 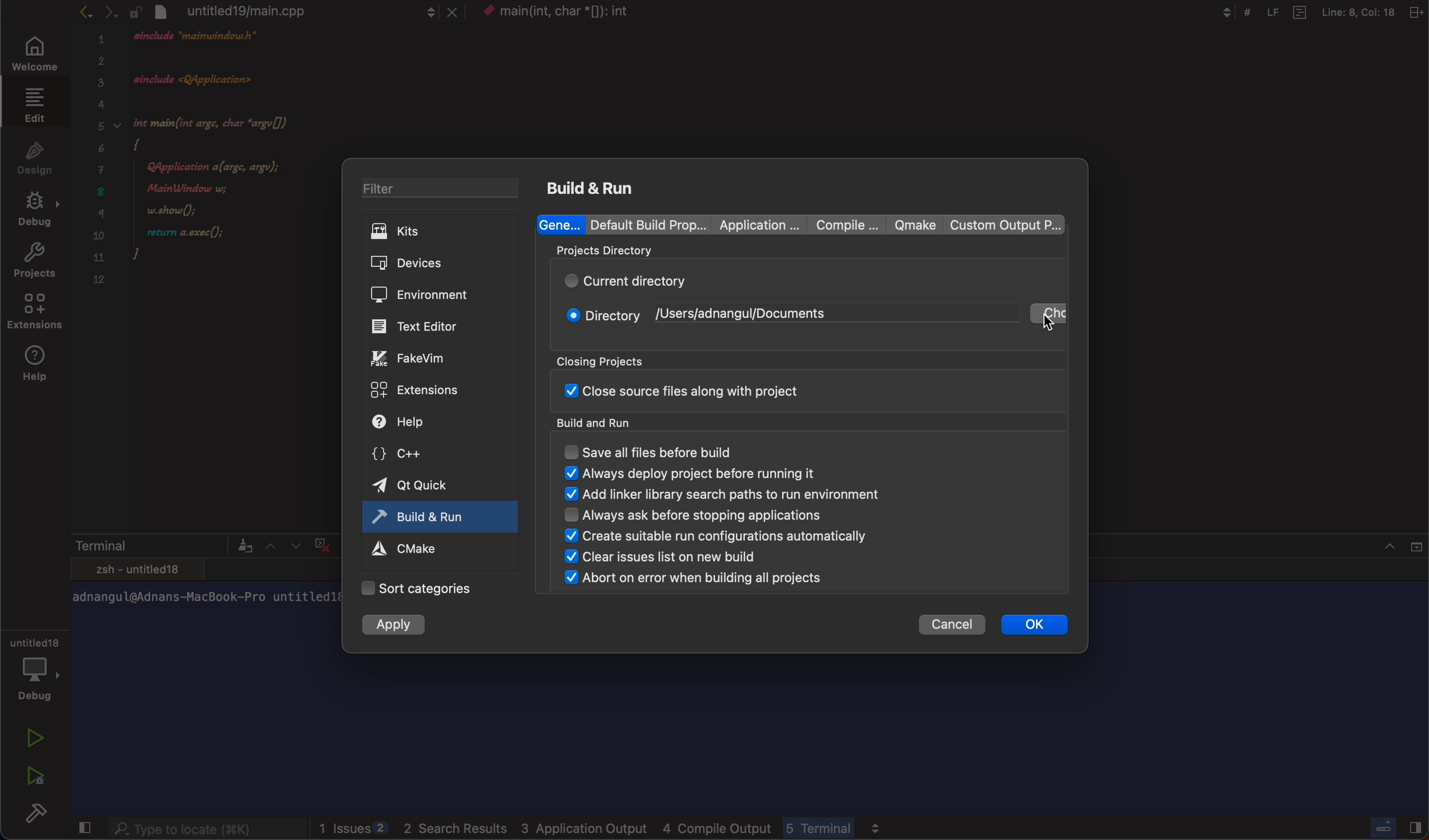 What do you see at coordinates (687, 579) in the screenshot?
I see `abort on error` at bounding box center [687, 579].